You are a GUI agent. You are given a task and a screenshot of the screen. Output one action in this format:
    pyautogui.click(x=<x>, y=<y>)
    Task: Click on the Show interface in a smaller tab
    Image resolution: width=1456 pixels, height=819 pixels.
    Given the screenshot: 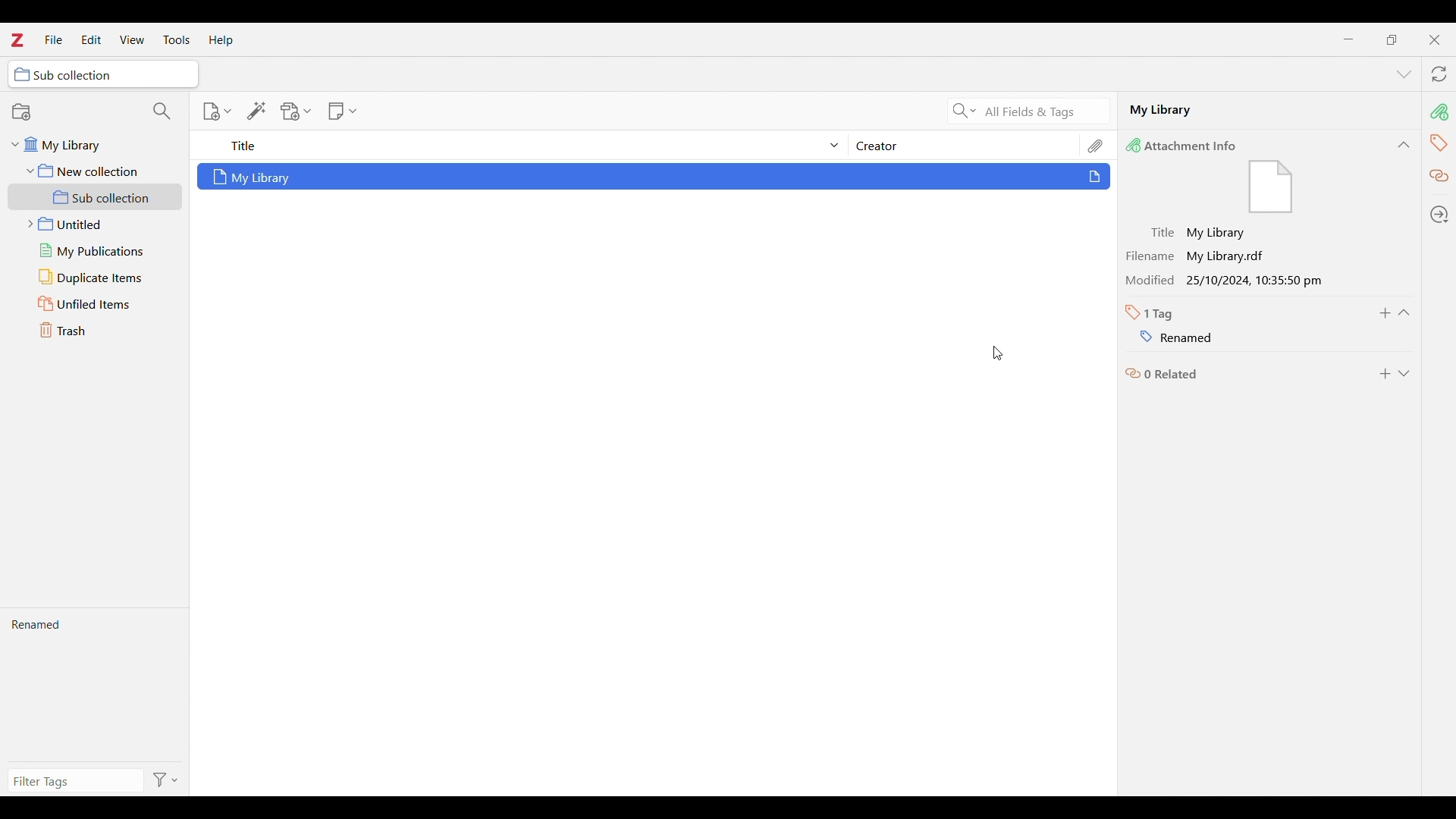 What is the action you would take?
    pyautogui.click(x=1392, y=39)
    